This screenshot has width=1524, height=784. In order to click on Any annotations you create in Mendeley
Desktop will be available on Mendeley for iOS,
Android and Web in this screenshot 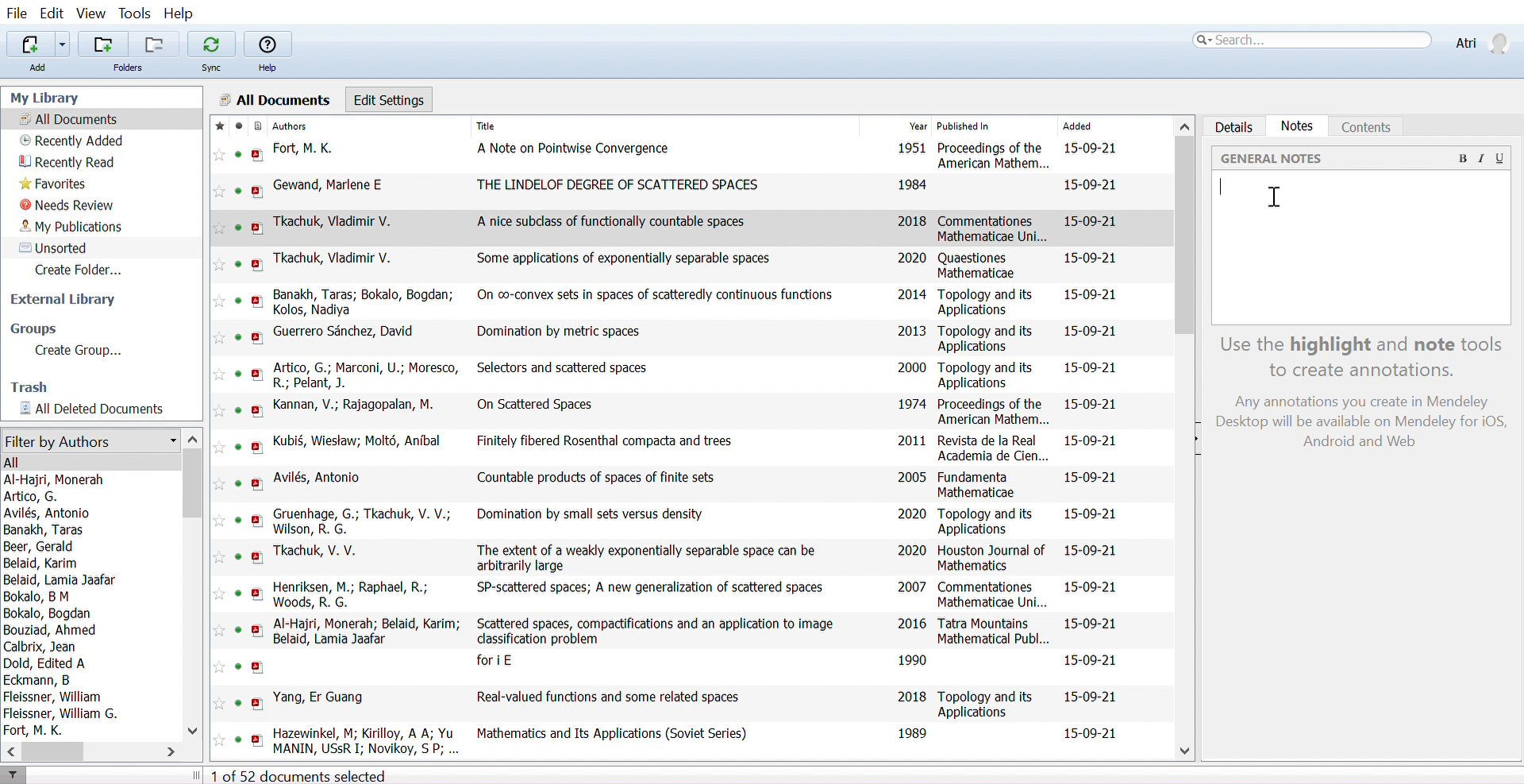, I will do `click(1365, 421)`.